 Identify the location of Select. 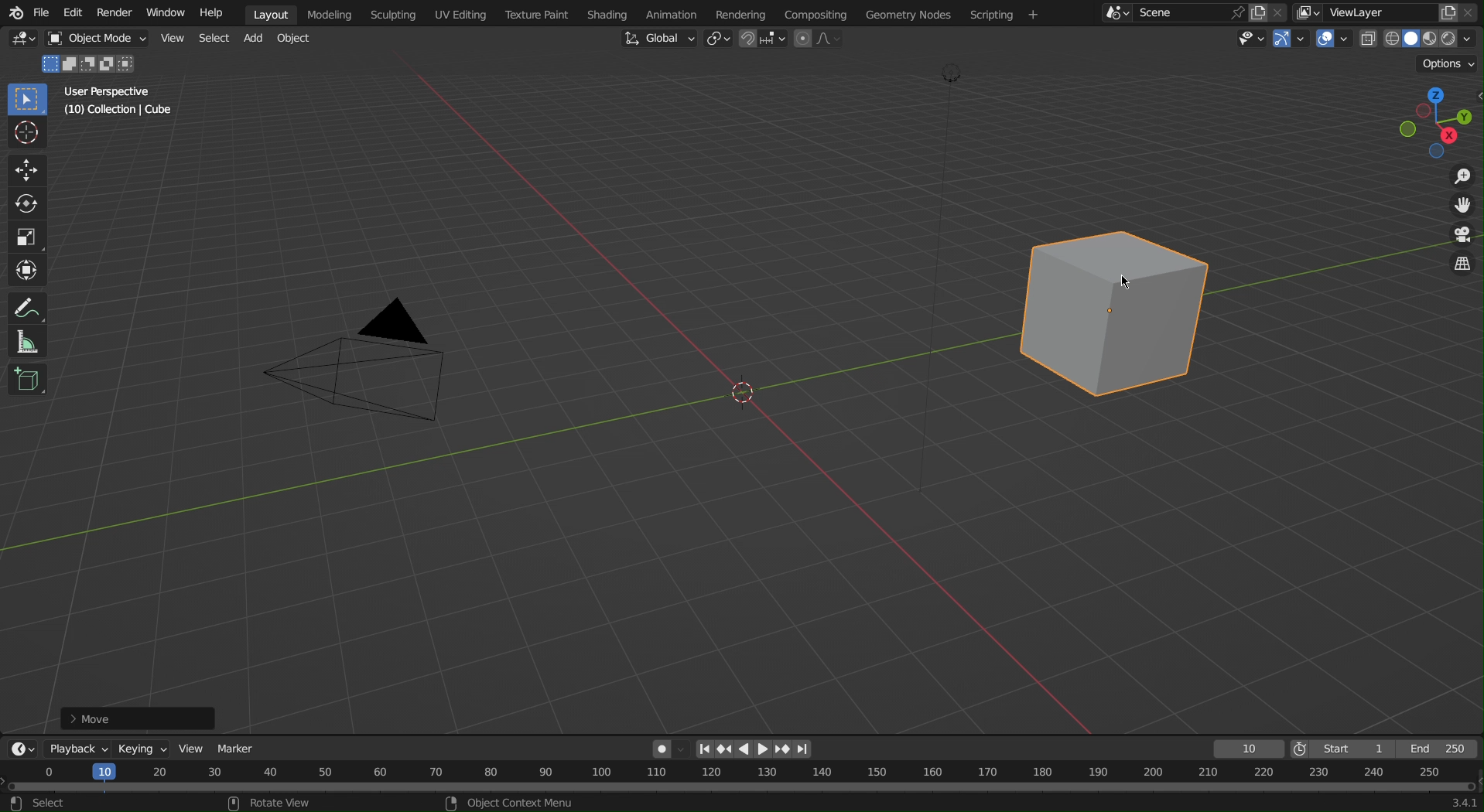
(214, 39).